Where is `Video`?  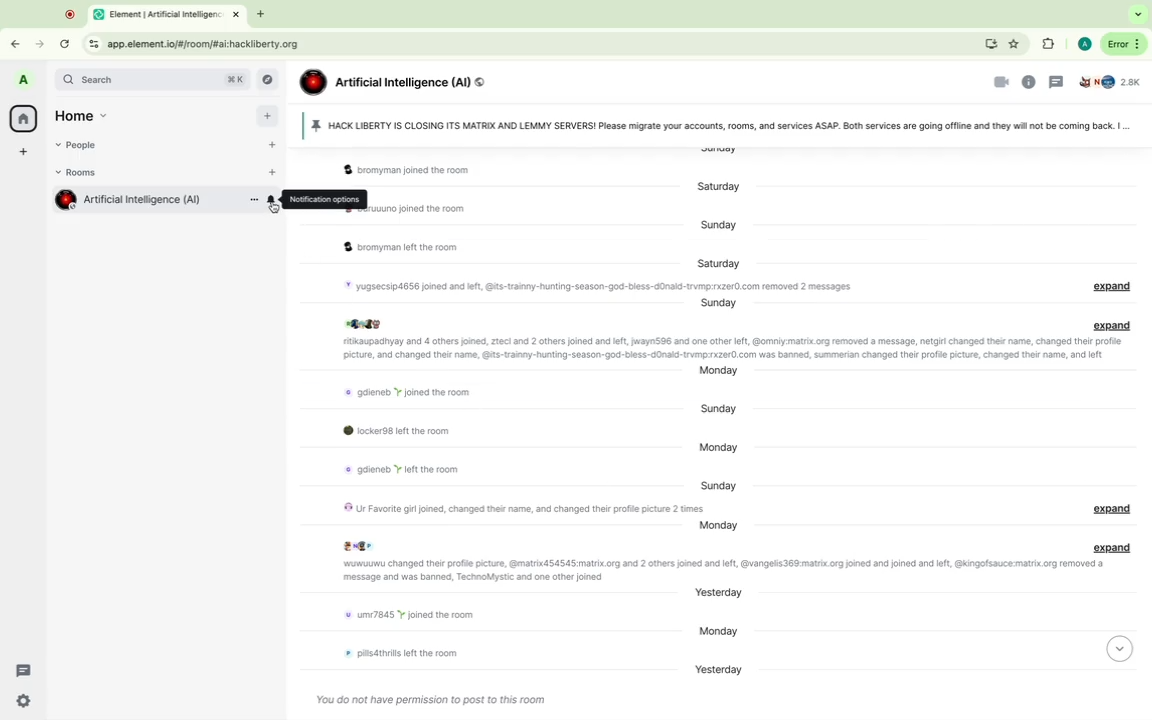 Video is located at coordinates (998, 82).